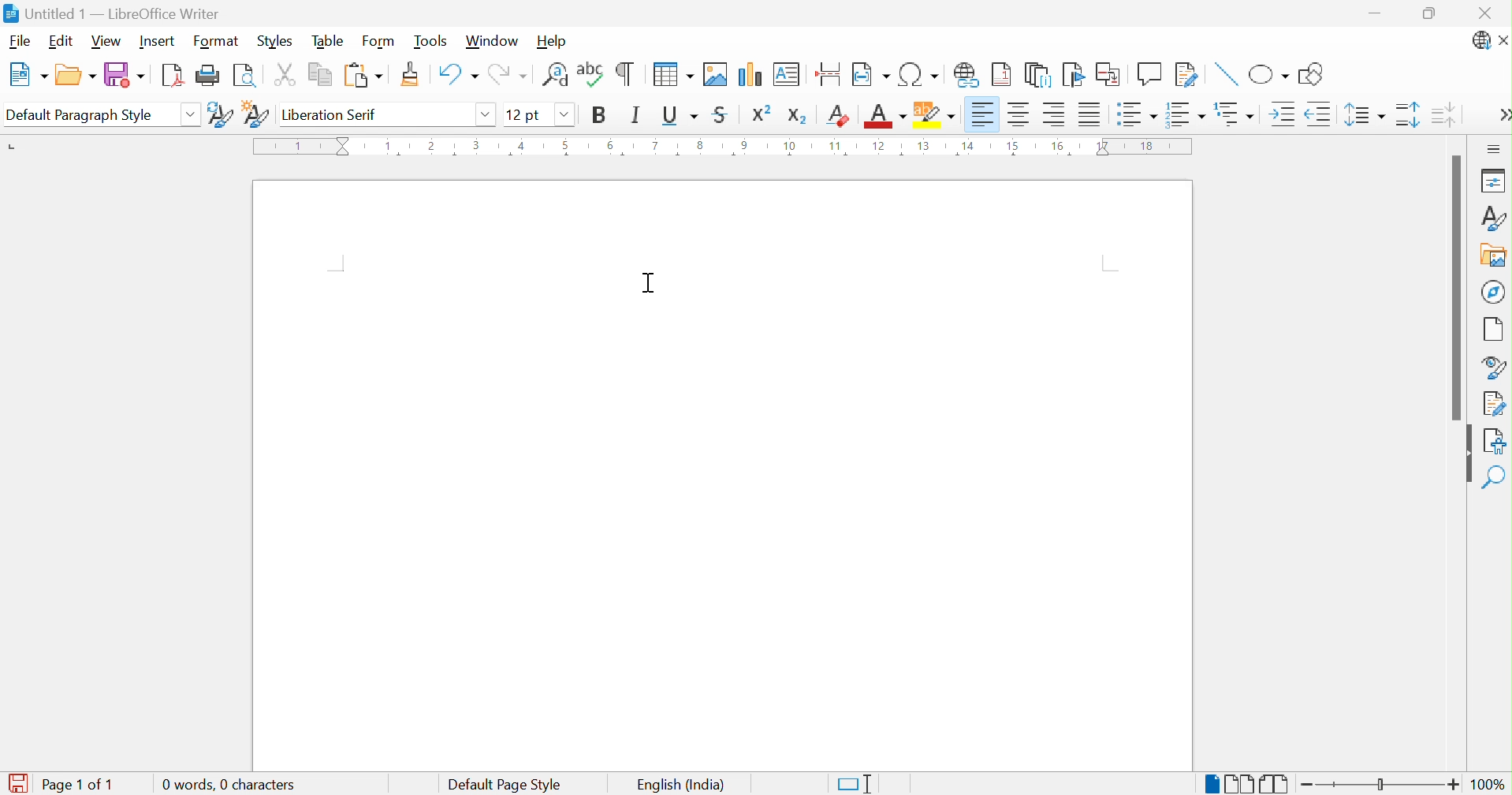  I want to click on Close, so click(1503, 40).